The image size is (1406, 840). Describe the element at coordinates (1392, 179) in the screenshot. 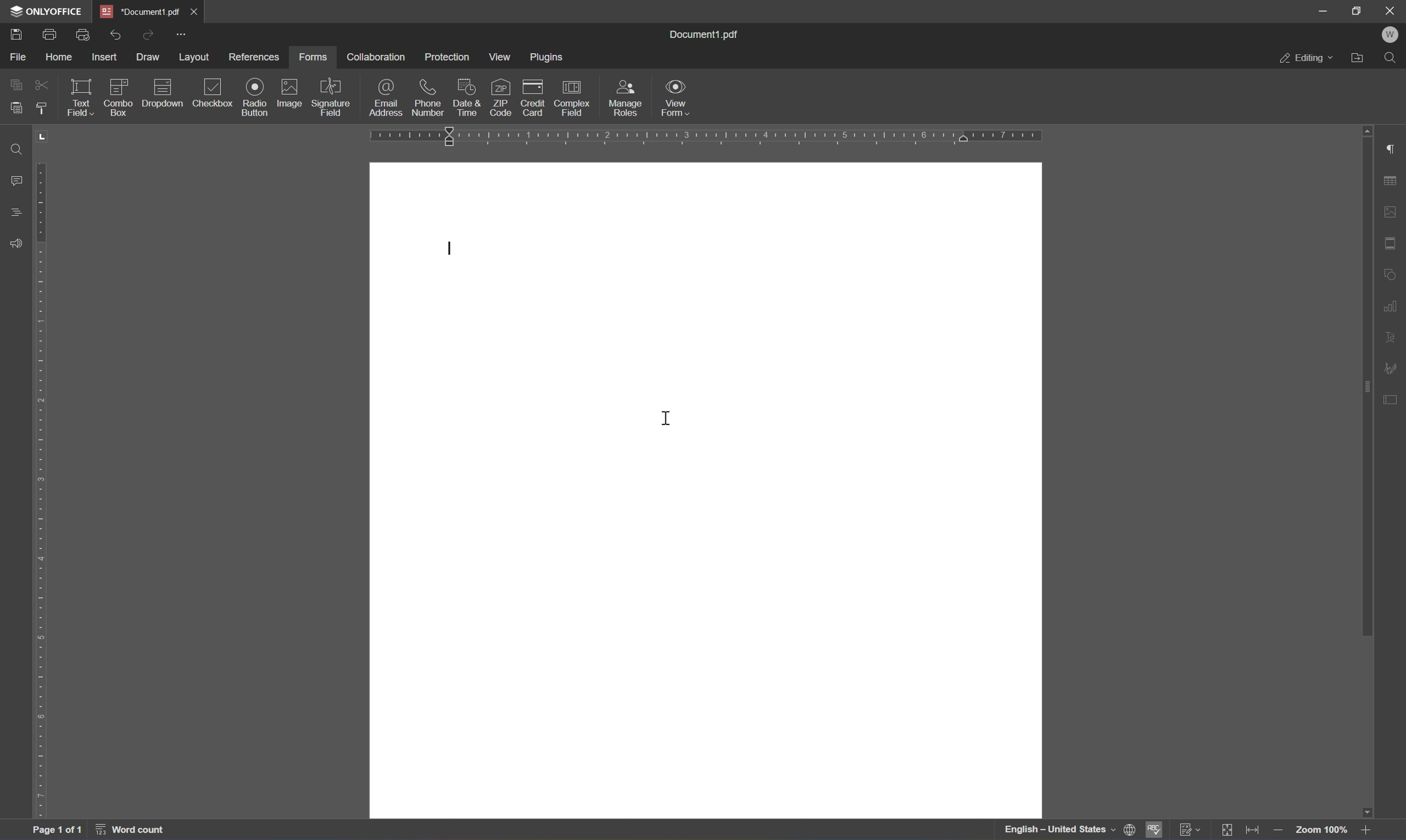

I see `table settings` at that location.